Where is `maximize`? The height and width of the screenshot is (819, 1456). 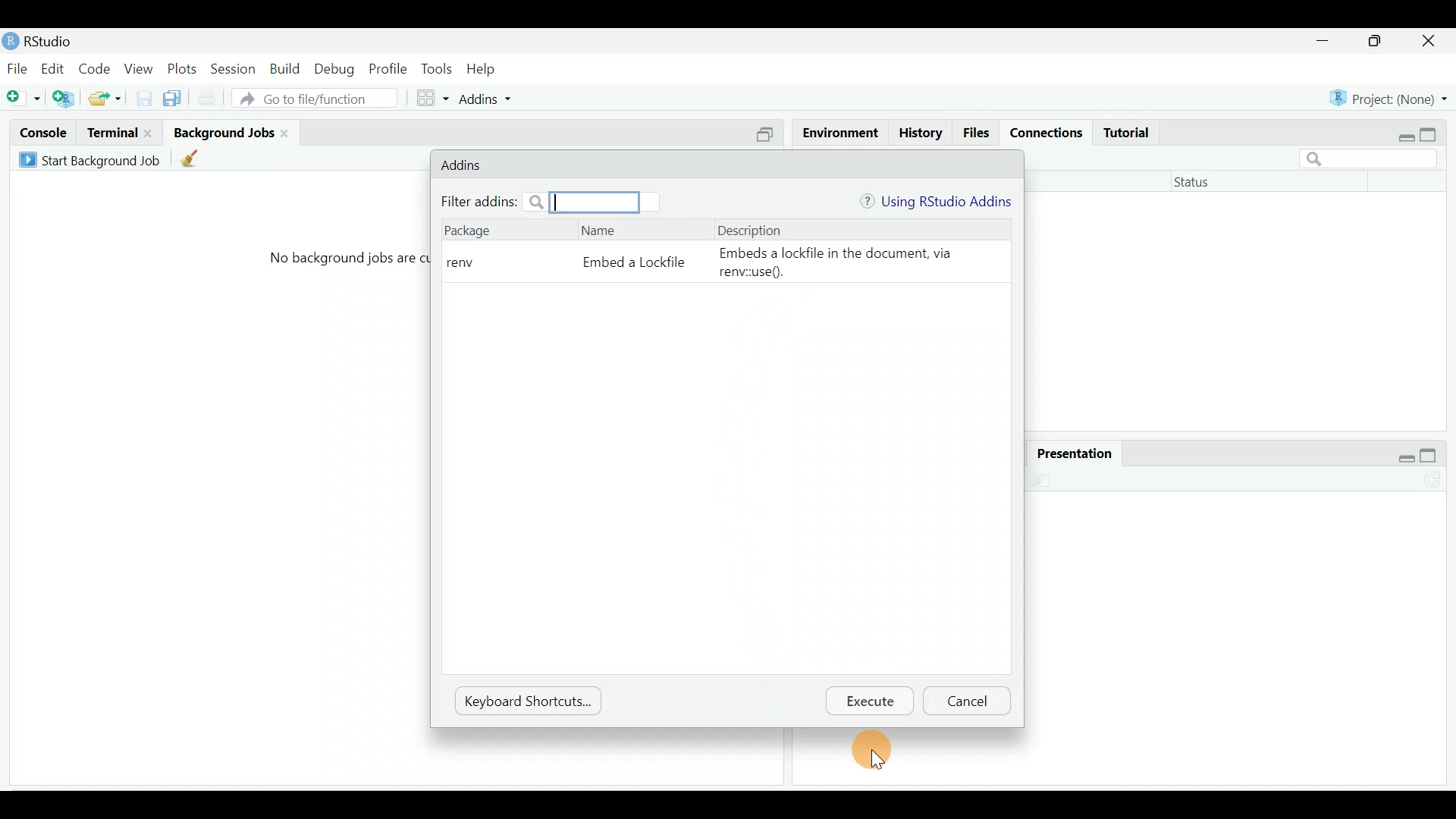 maximize is located at coordinates (1376, 42).